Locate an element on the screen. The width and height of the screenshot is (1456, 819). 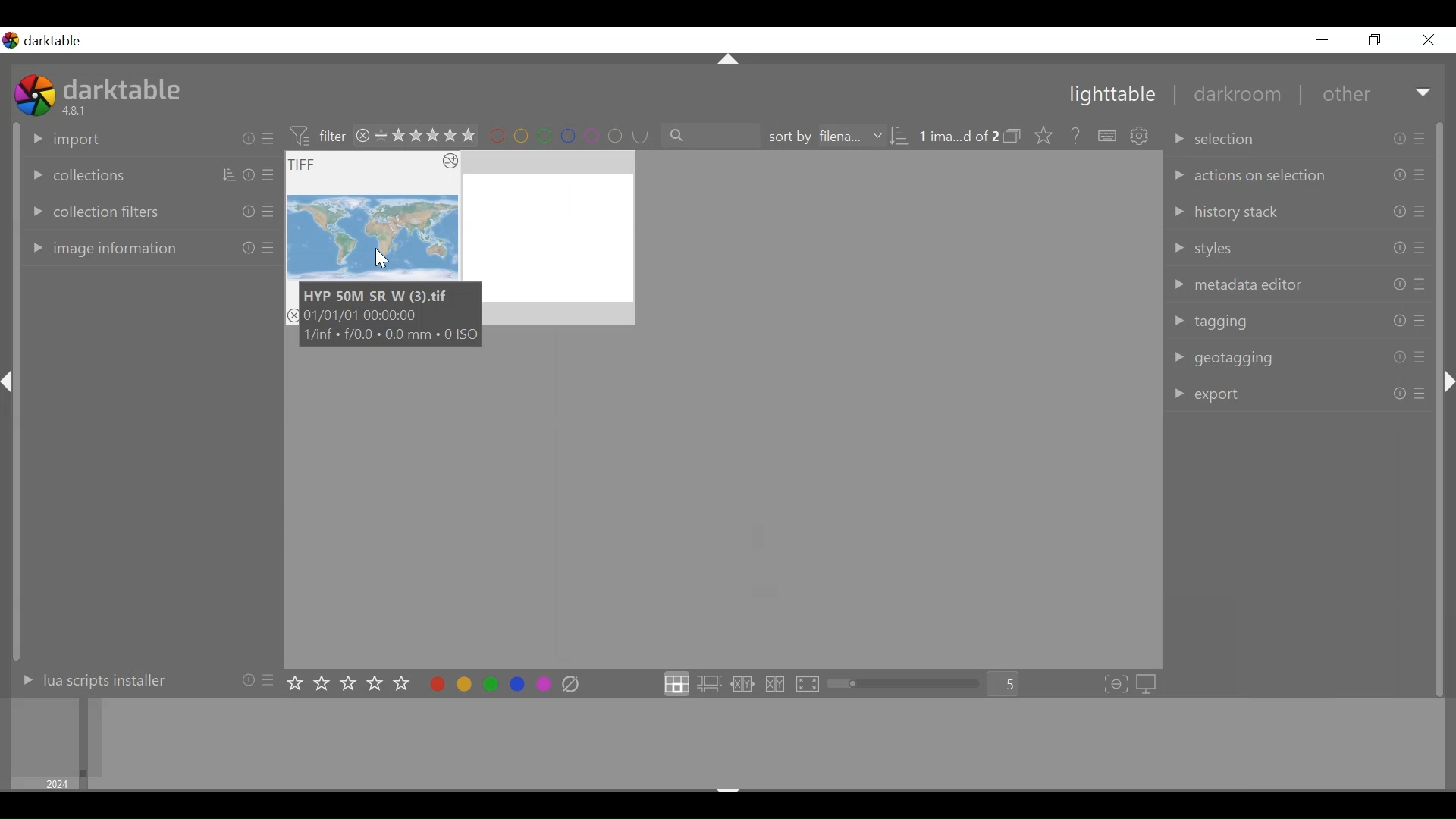
Close is located at coordinates (1427, 39).